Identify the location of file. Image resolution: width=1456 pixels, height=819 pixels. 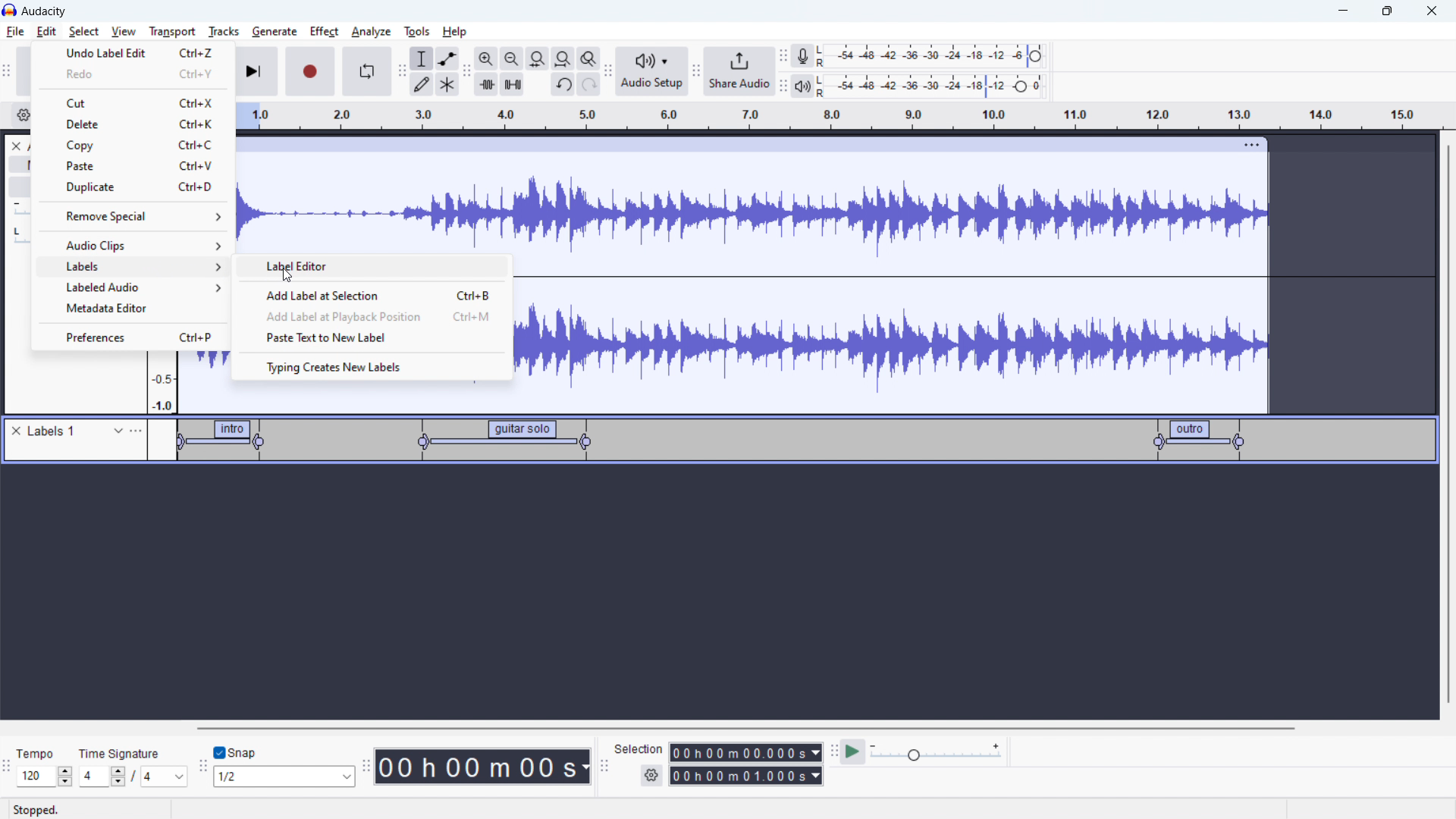
(16, 32).